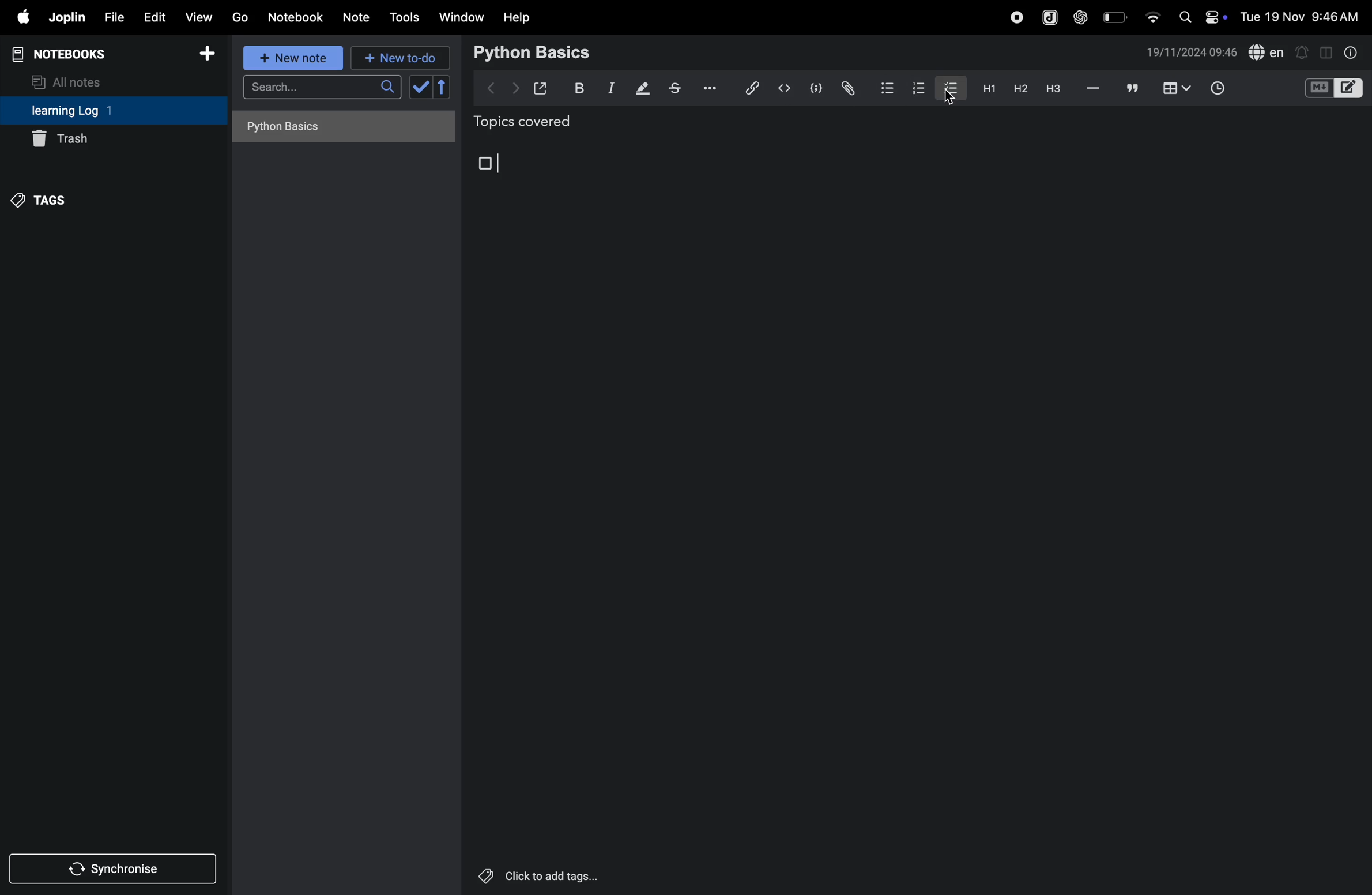 The width and height of the screenshot is (1372, 895). I want to click on strike through, so click(675, 88).